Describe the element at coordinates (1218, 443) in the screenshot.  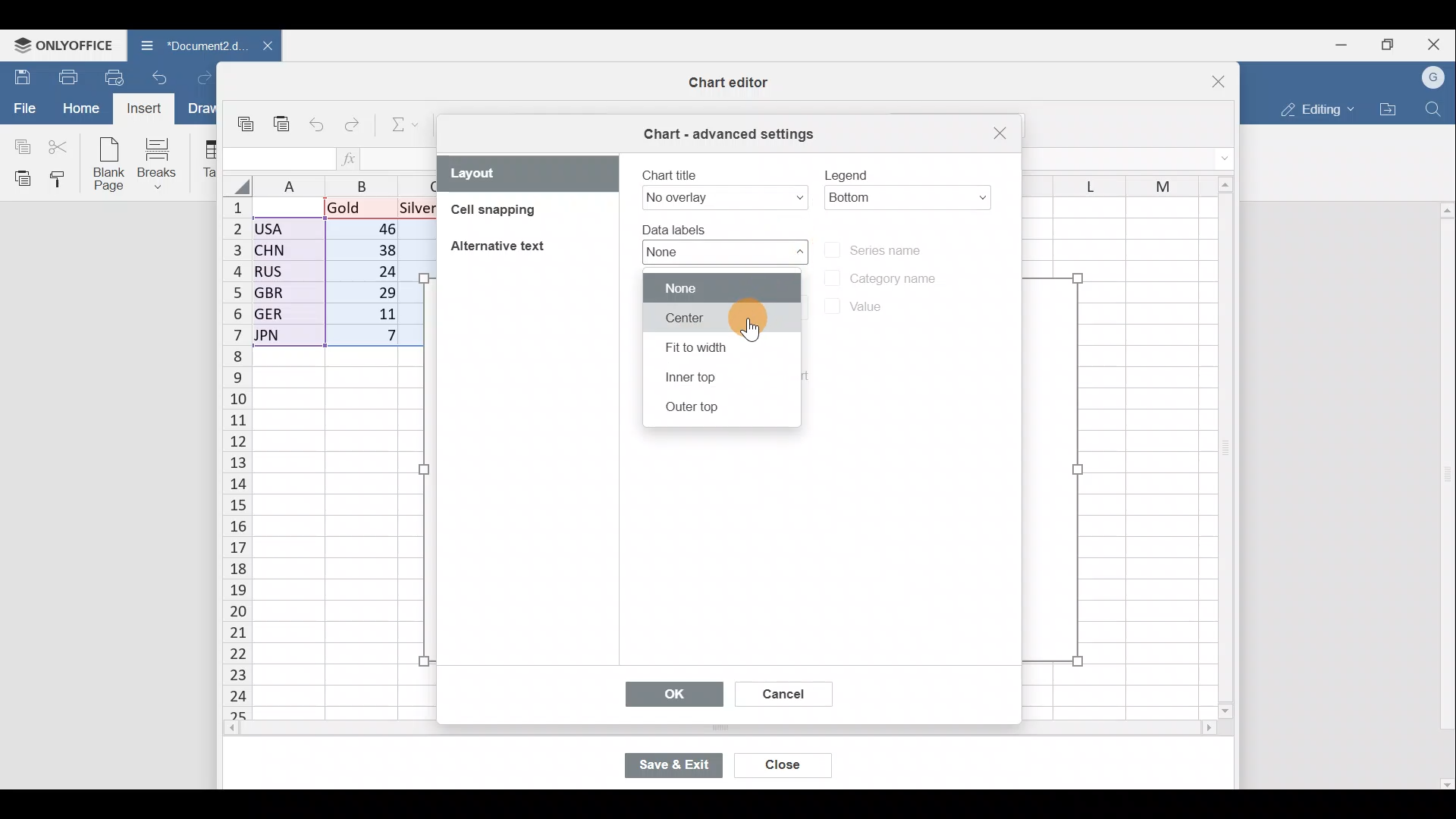
I see `Scroll bar` at that location.